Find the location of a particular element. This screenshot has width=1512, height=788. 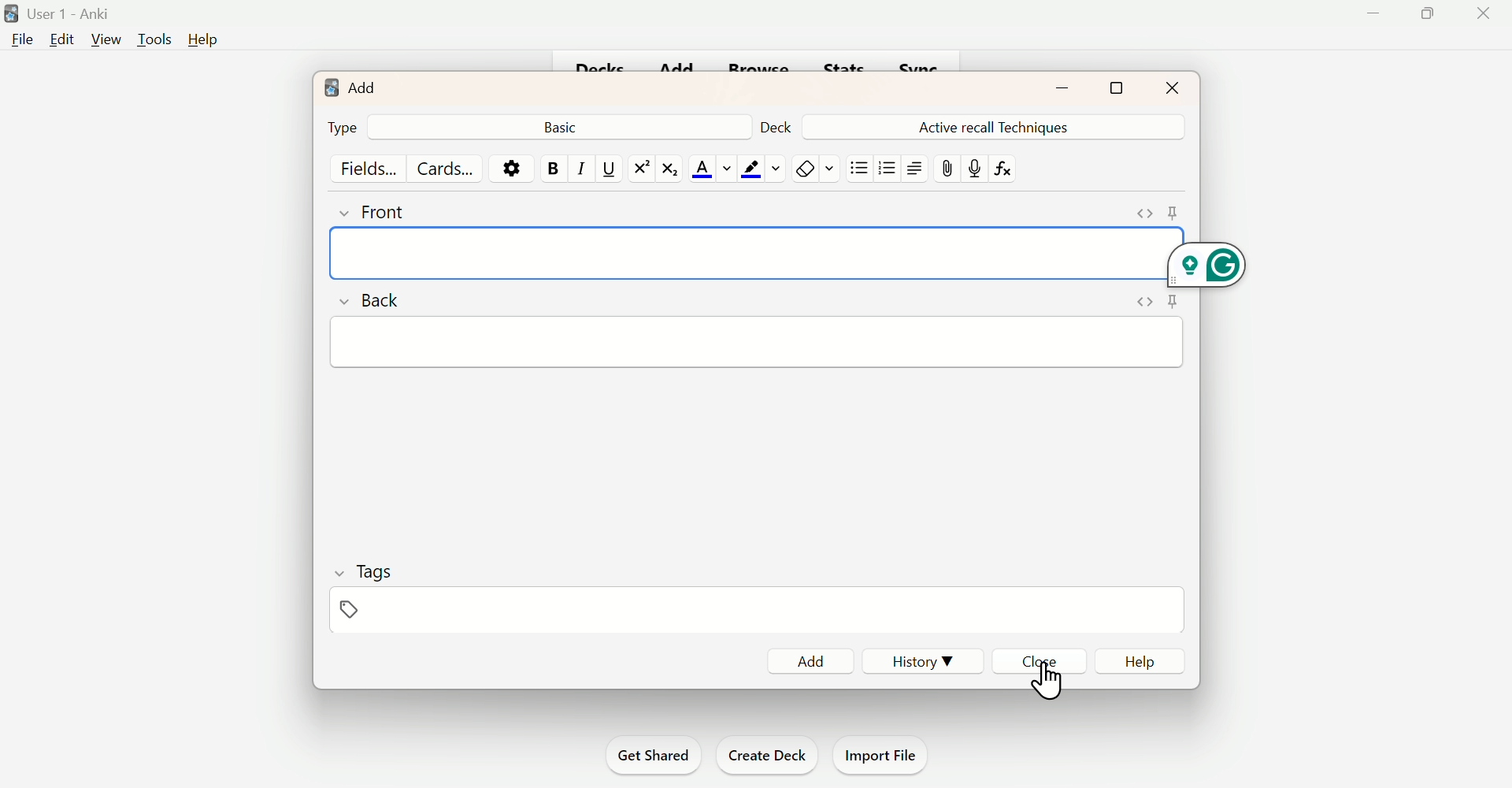

pin is located at coordinates (1161, 303).